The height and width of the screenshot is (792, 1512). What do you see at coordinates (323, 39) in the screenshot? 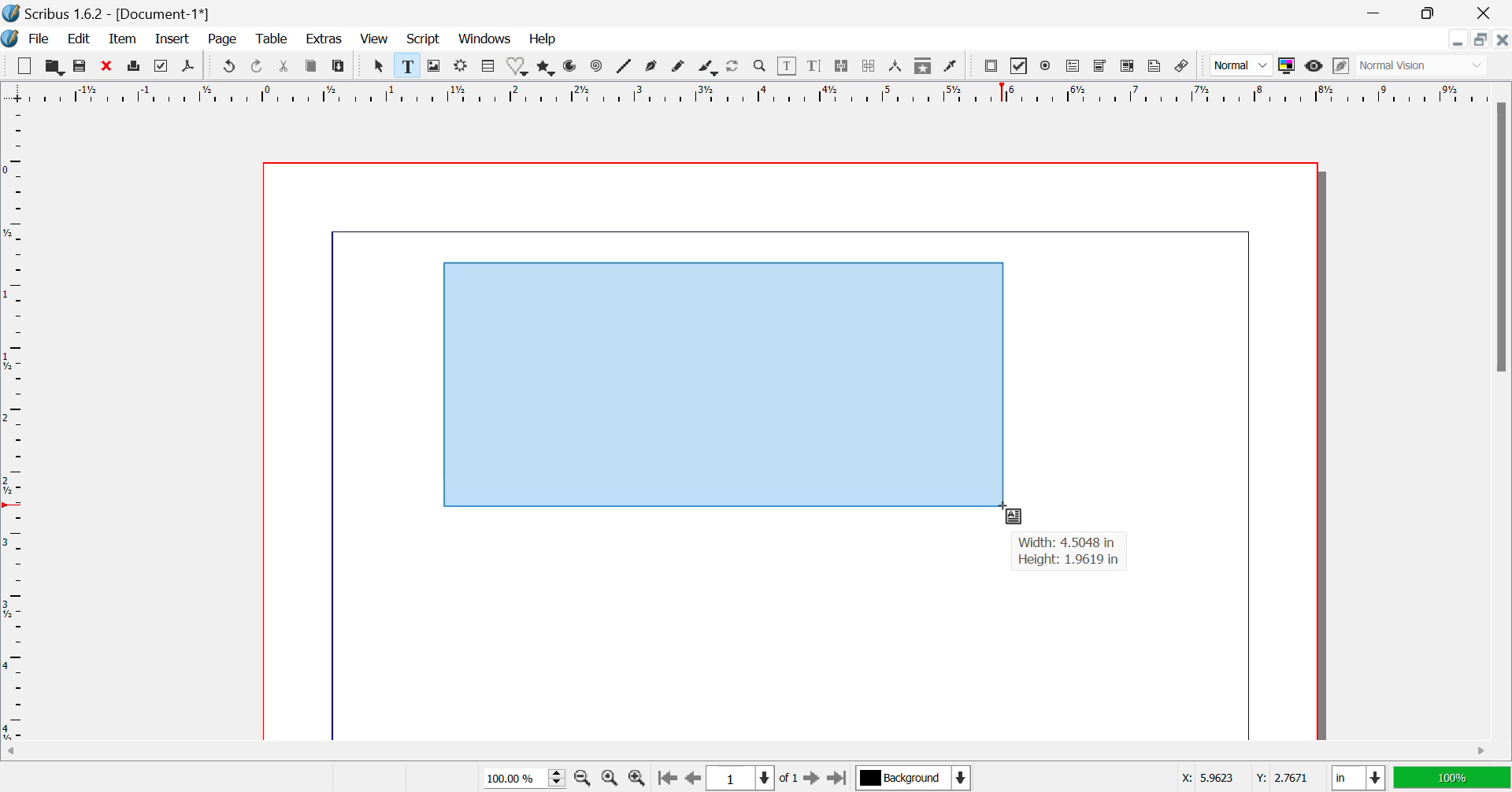
I see `Extras` at bounding box center [323, 39].